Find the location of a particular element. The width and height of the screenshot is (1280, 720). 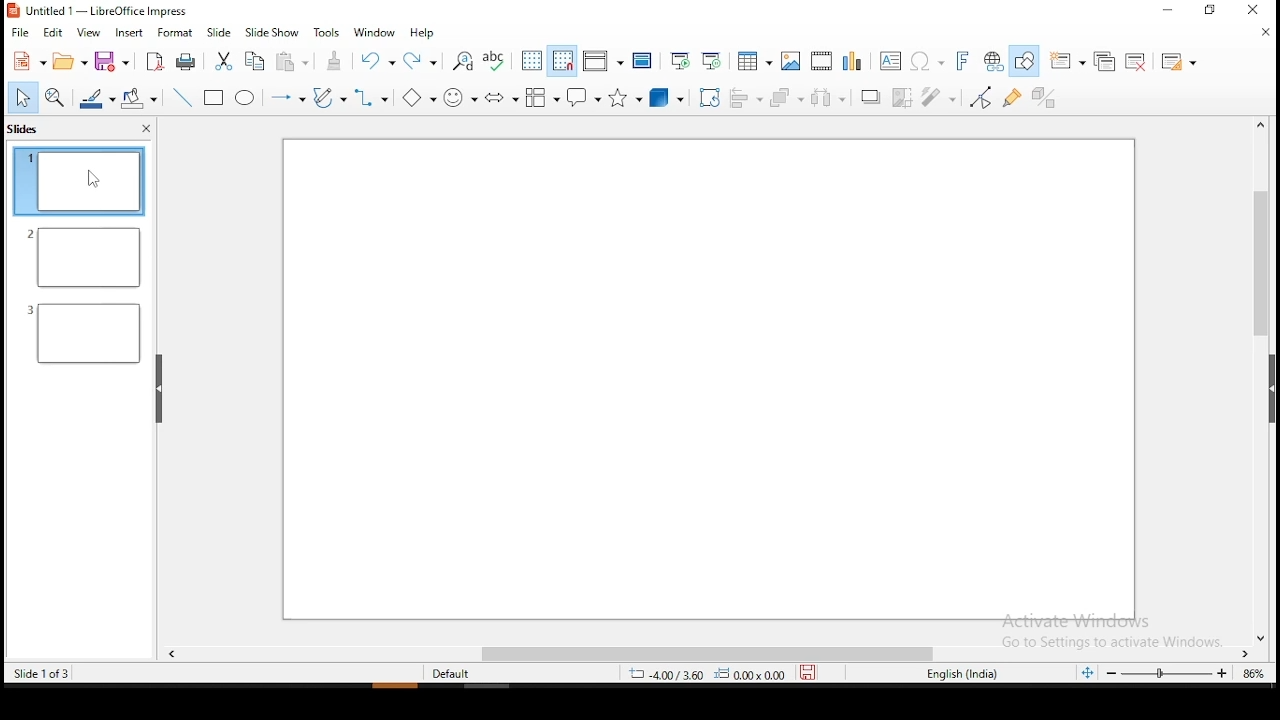

select tool is located at coordinates (22, 99).